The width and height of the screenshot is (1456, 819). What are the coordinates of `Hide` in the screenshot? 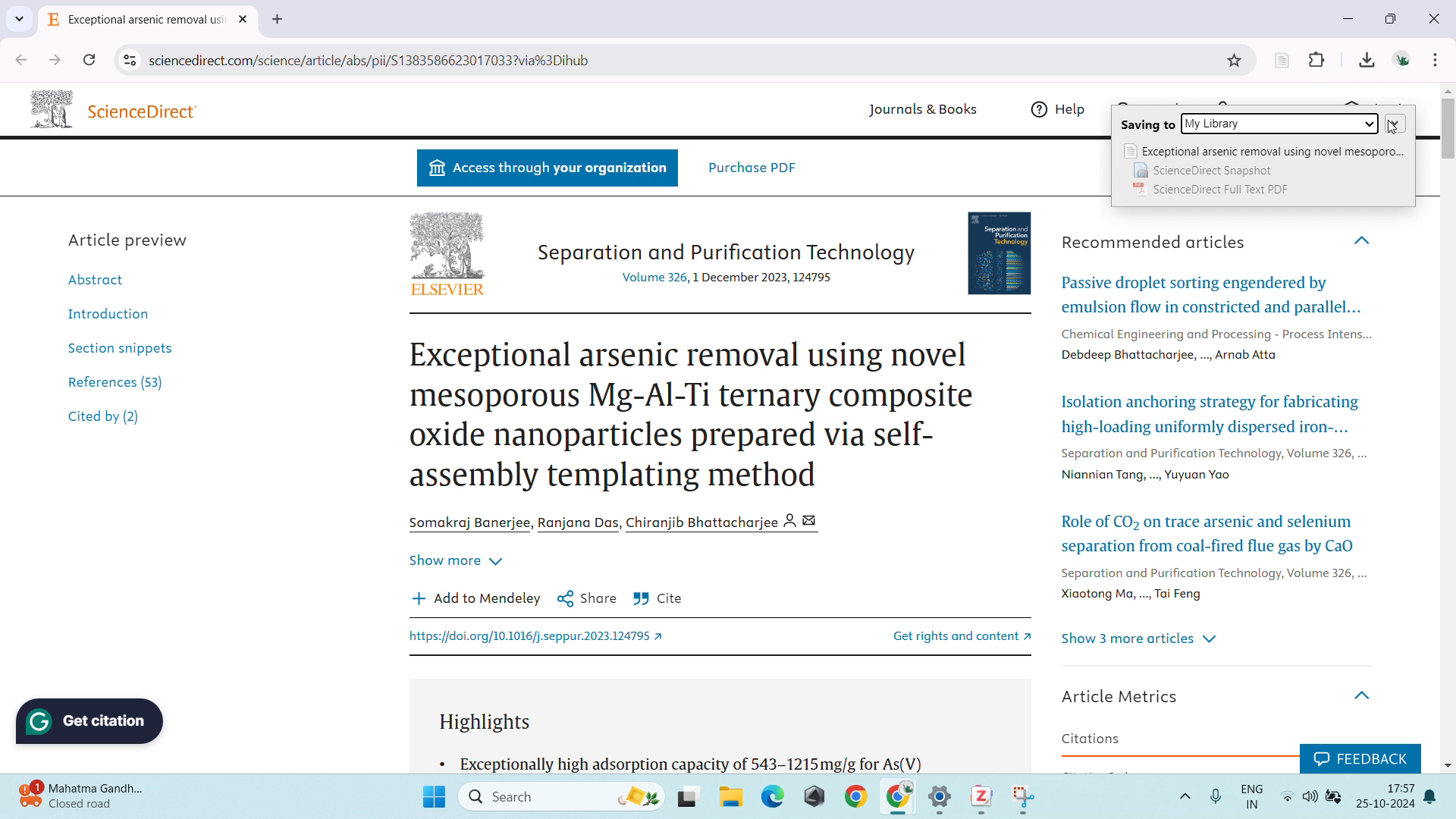 It's located at (1367, 690).